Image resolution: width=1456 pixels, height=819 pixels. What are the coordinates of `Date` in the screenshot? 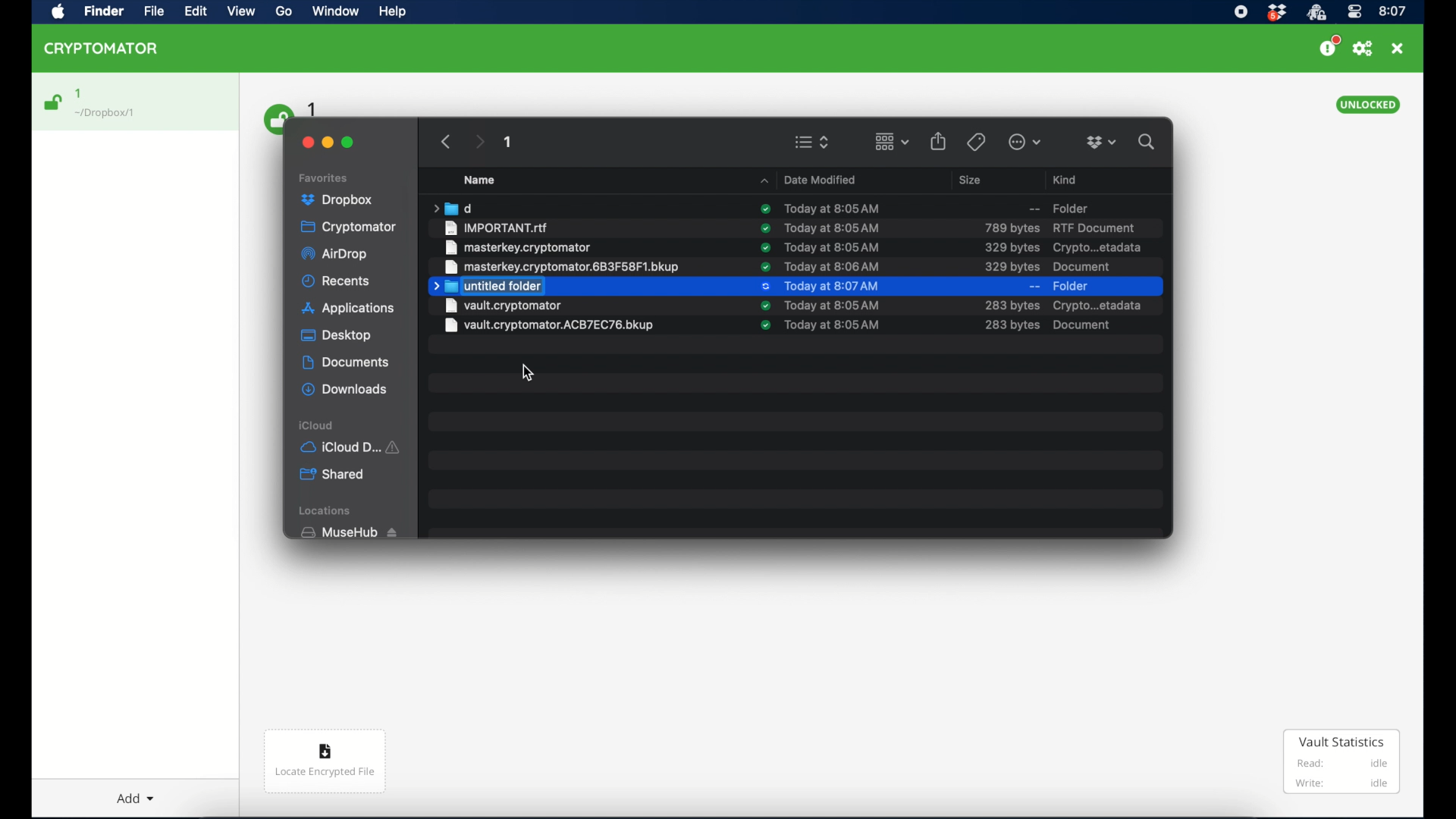 It's located at (836, 327).